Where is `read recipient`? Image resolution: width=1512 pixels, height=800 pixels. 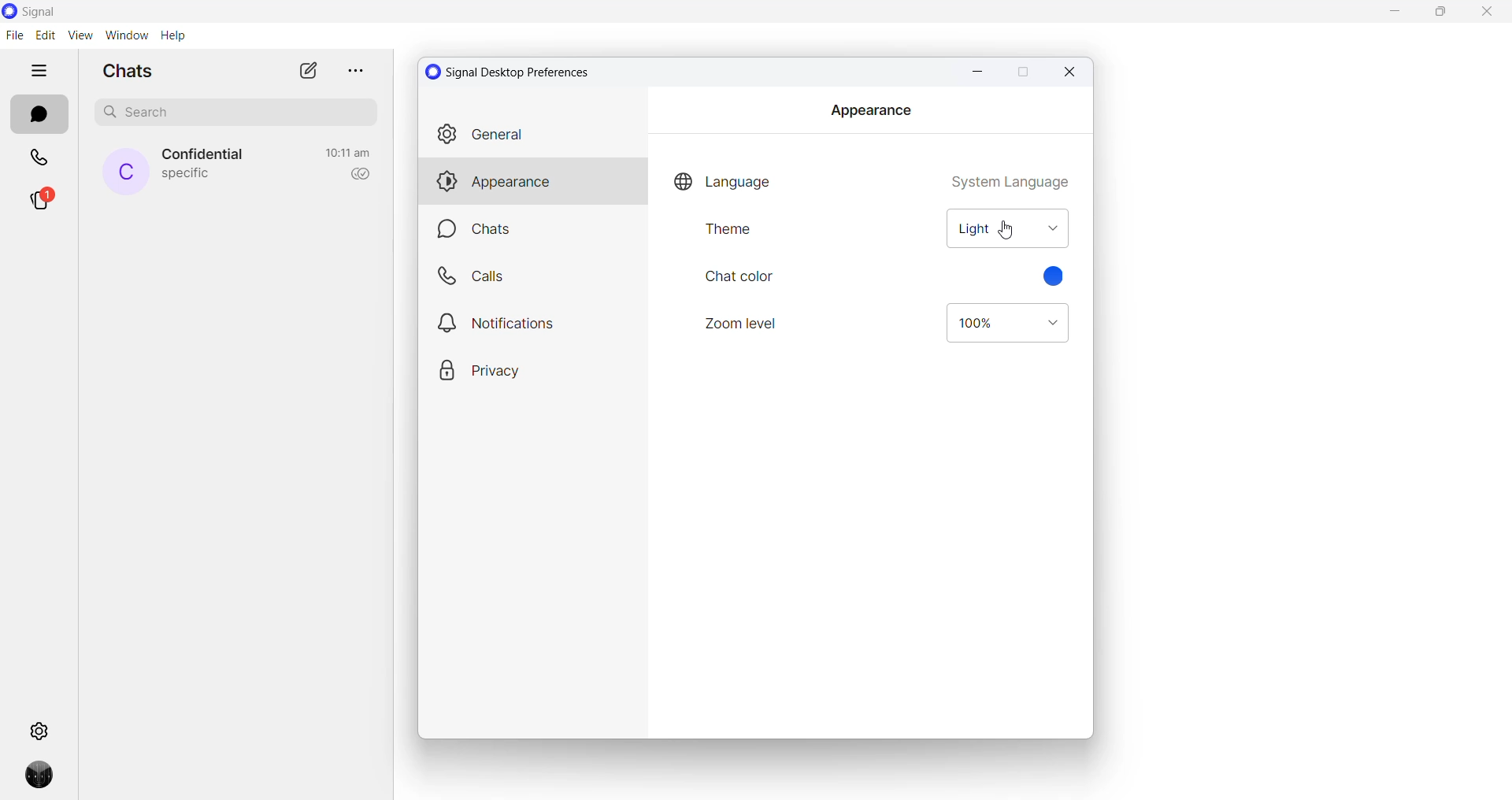 read recipient is located at coordinates (357, 175).